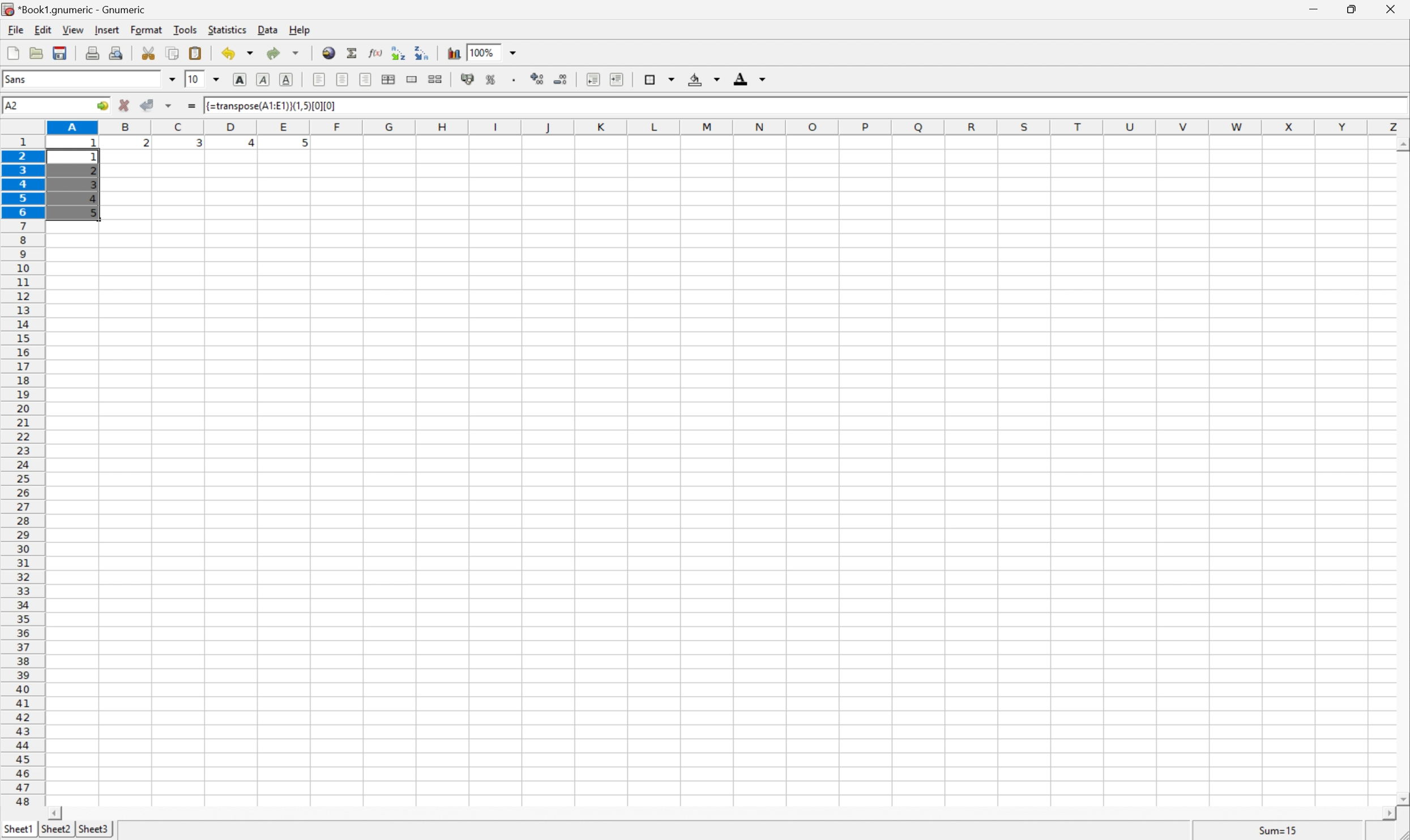 Image resolution: width=1410 pixels, height=840 pixels. What do you see at coordinates (95, 146) in the screenshot?
I see `1` at bounding box center [95, 146].